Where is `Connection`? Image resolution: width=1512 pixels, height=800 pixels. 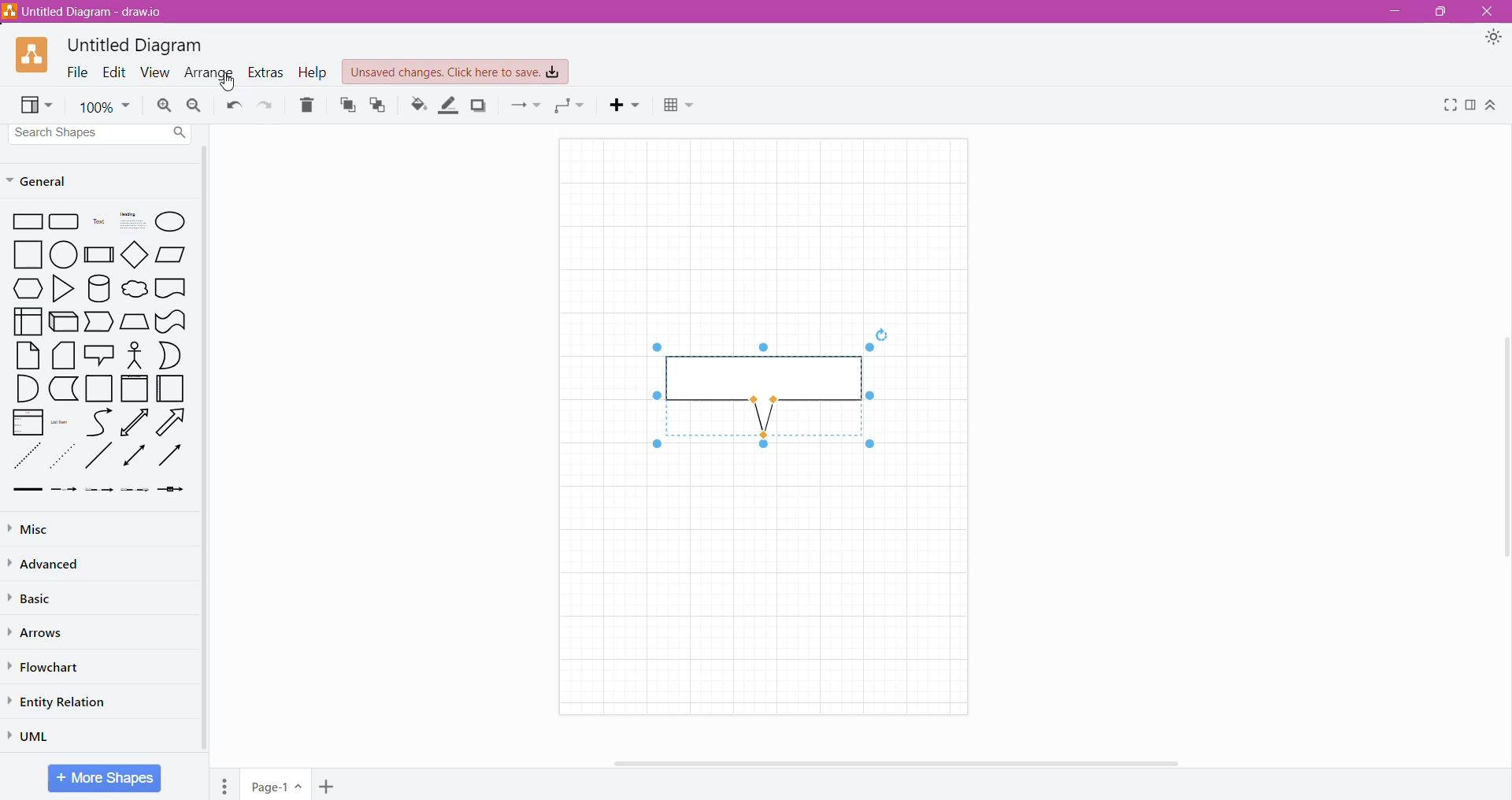 Connection is located at coordinates (525, 106).